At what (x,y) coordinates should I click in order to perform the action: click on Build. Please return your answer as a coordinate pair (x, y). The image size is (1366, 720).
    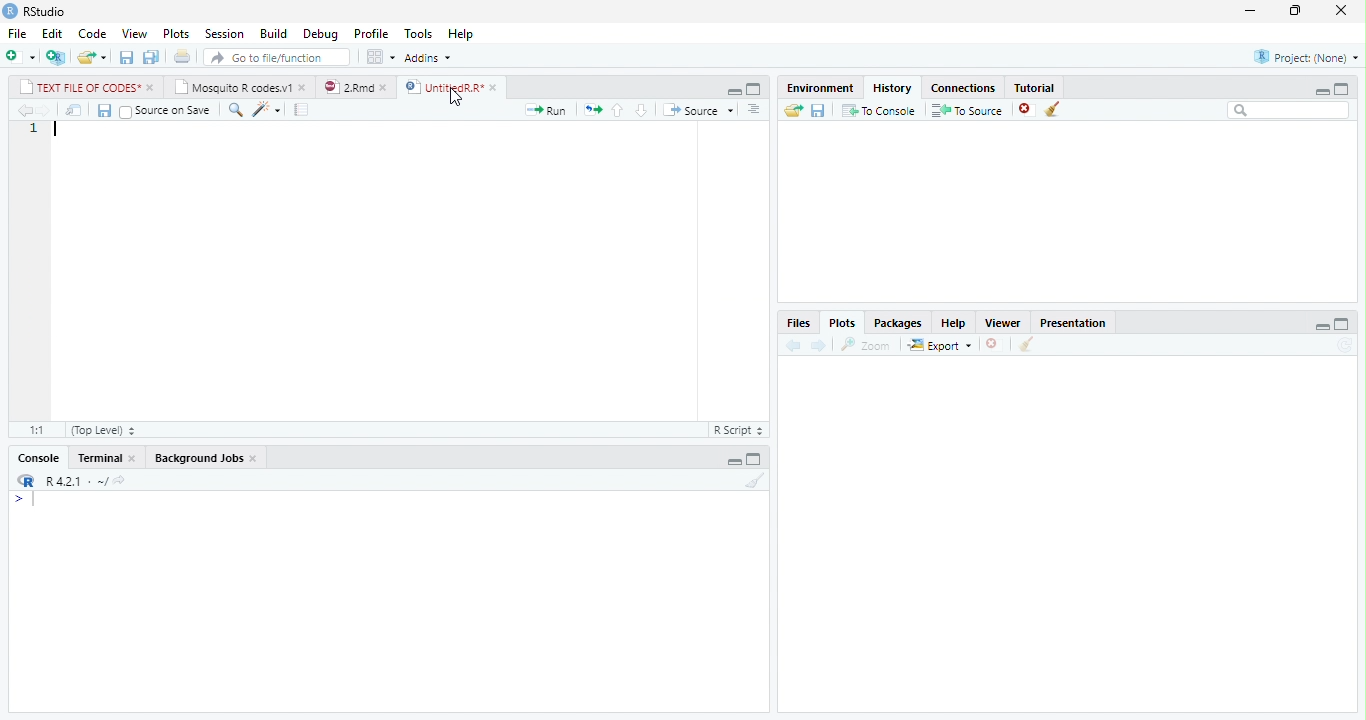
    Looking at the image, I should click on (274, 34).